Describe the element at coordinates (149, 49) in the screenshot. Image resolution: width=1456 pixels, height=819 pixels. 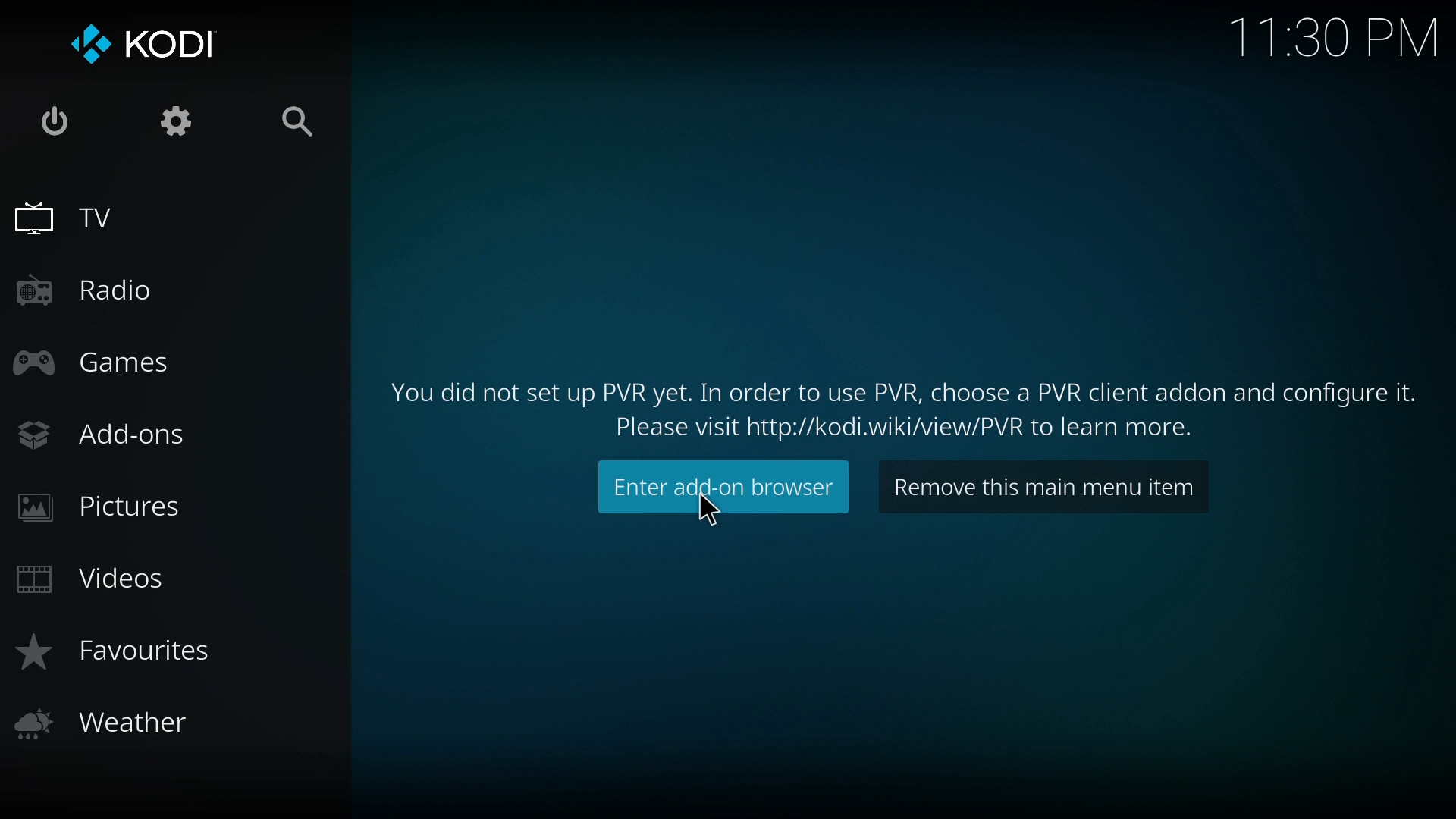
I see `Kodi` at that location.